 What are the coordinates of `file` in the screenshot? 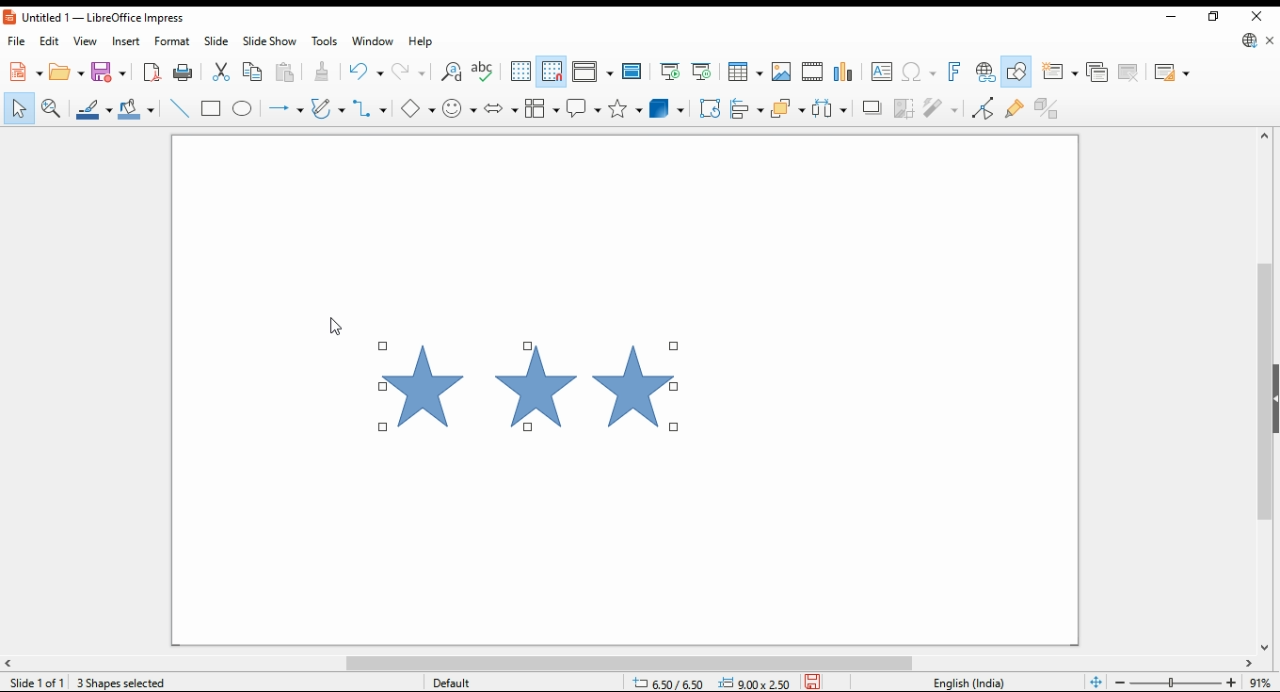 It's located at (17, 40).